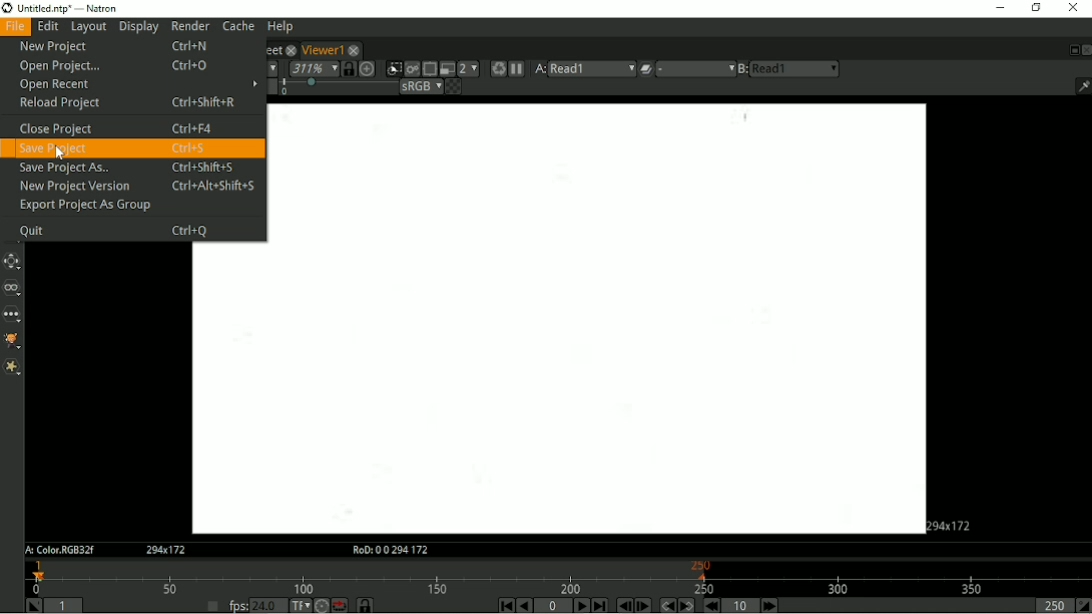 The image size is (1092, 614). What do you see at coordinates (139, 27) in the screenshot?
I see `Display` at bounding box center [139, 27].